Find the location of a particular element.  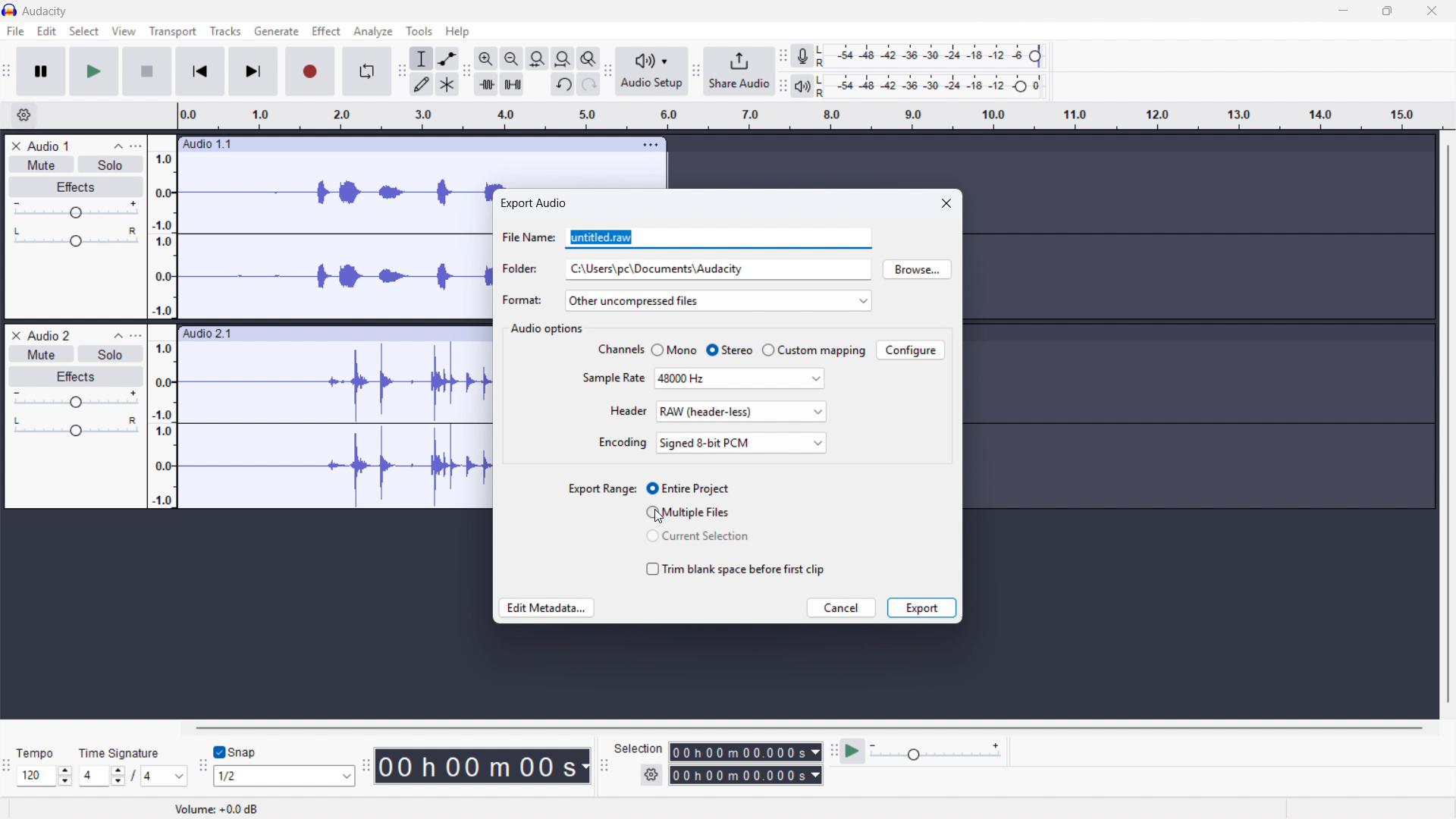

Export  is located at coordinates (921, 607).